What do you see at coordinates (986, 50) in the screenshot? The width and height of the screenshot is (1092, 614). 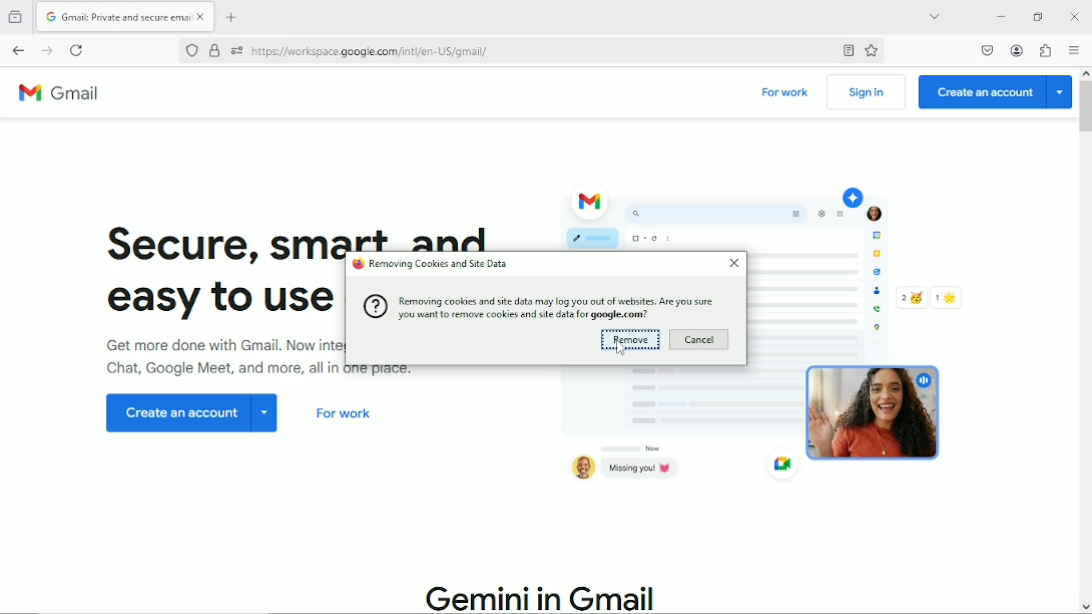 I see `Save to pocket` at bounding box center [986, 50].